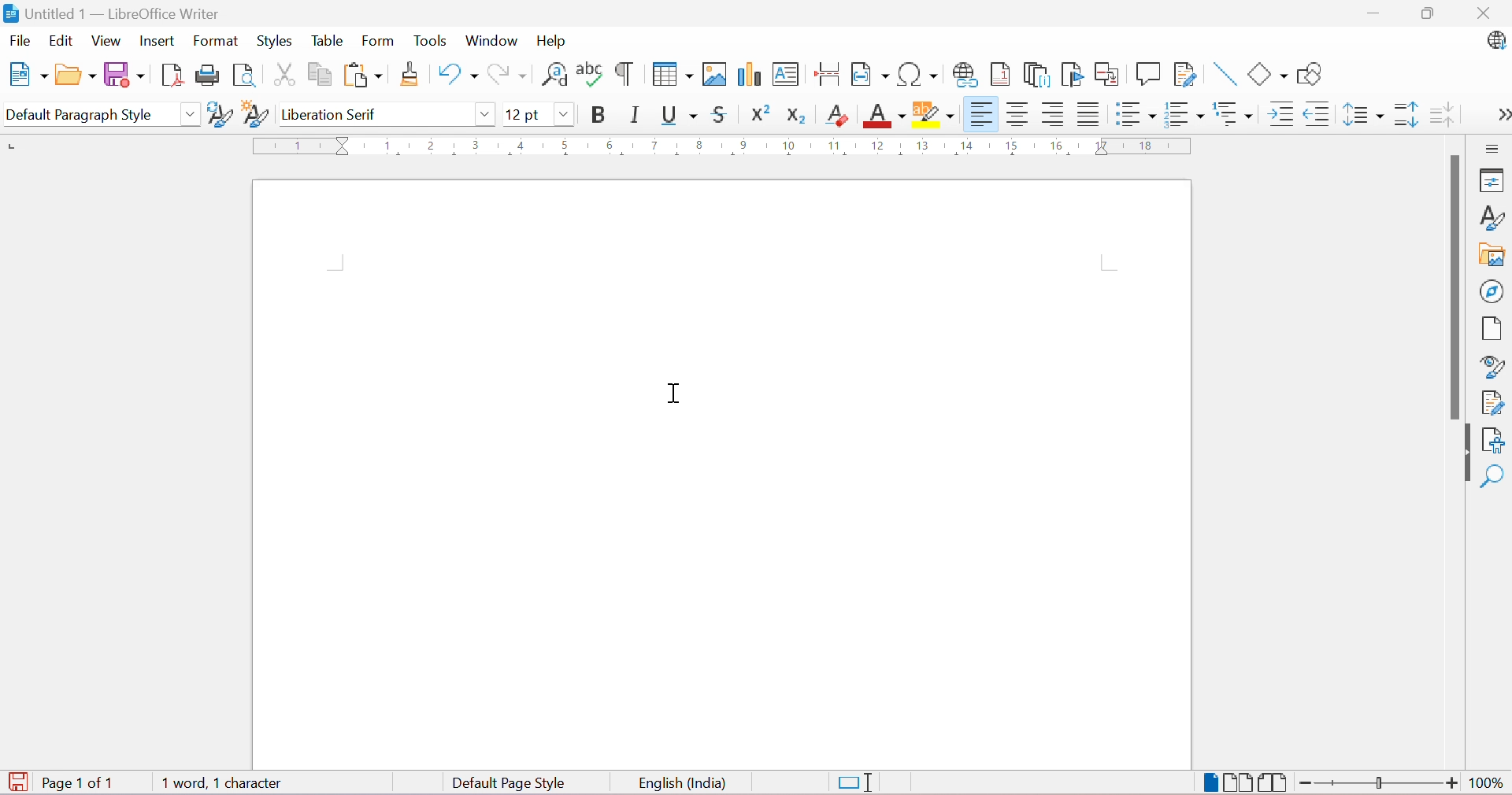 The image size is (1512, 795). Describe the element at coordinates (484, 117) in the screenshot. I see `Drop Down` at that location.